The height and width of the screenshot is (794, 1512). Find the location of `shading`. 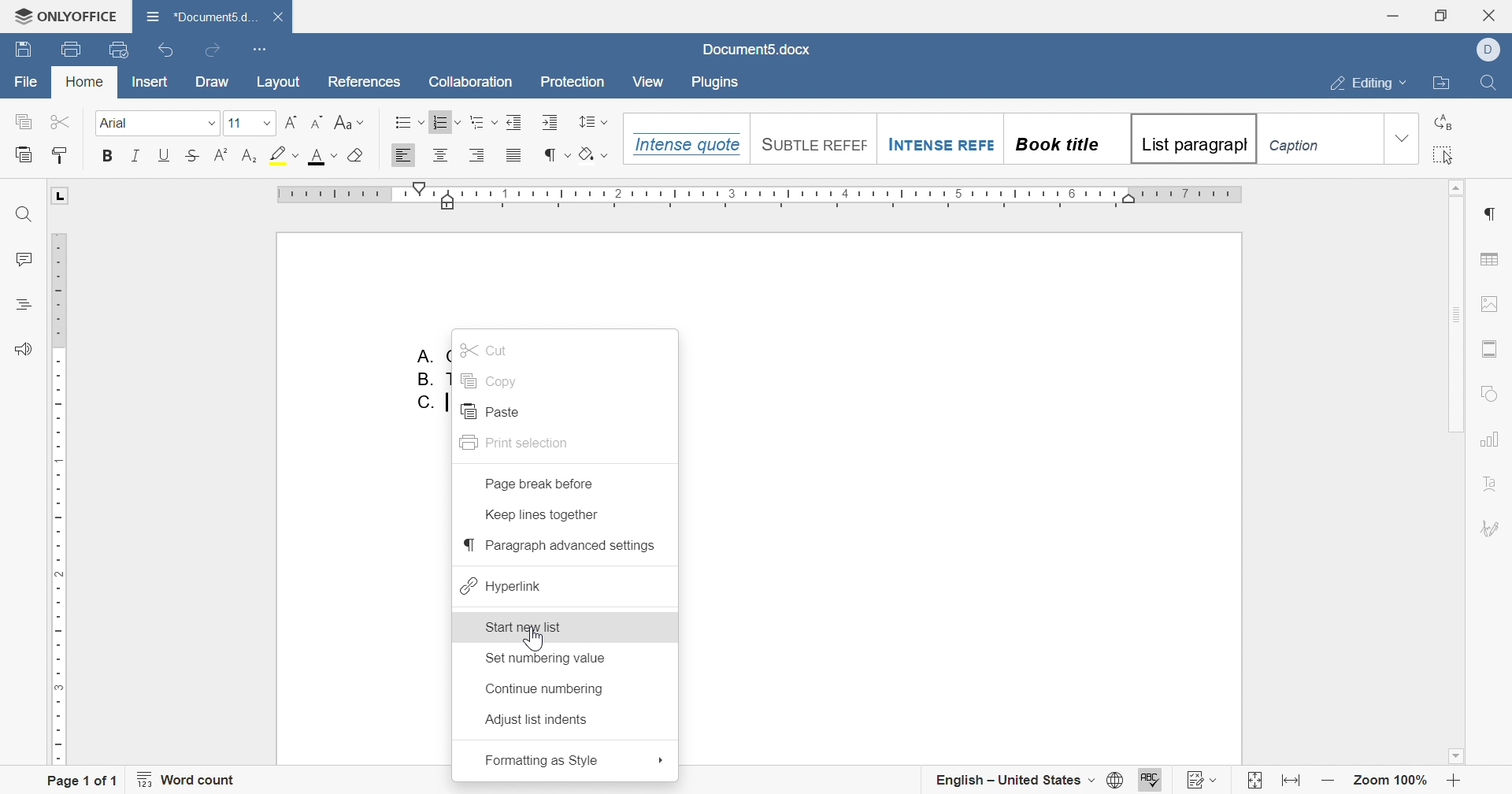

shading is located at coordinates (591, 153).